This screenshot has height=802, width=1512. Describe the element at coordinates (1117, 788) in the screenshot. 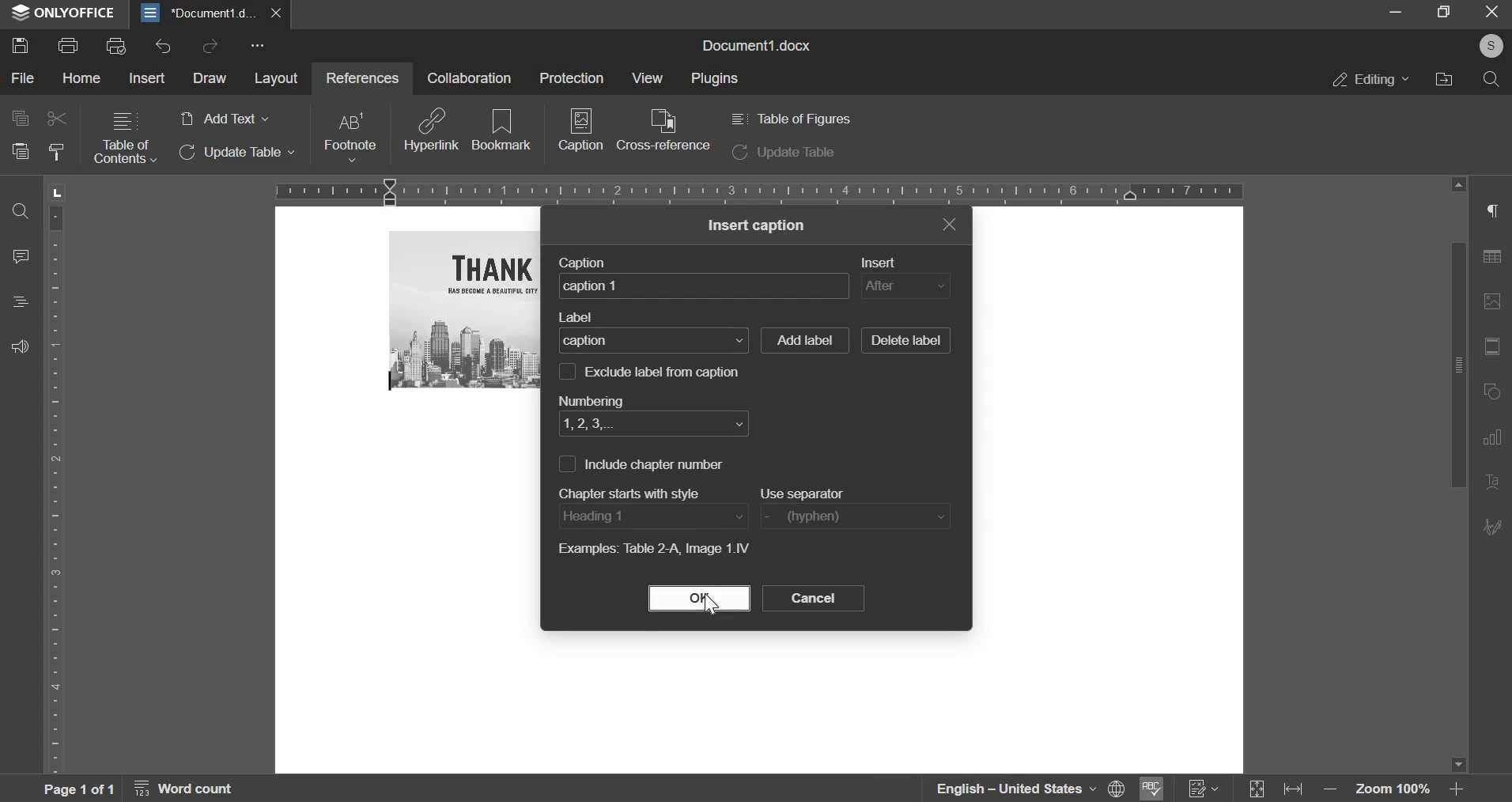

I see `Set Document Language` at that location.